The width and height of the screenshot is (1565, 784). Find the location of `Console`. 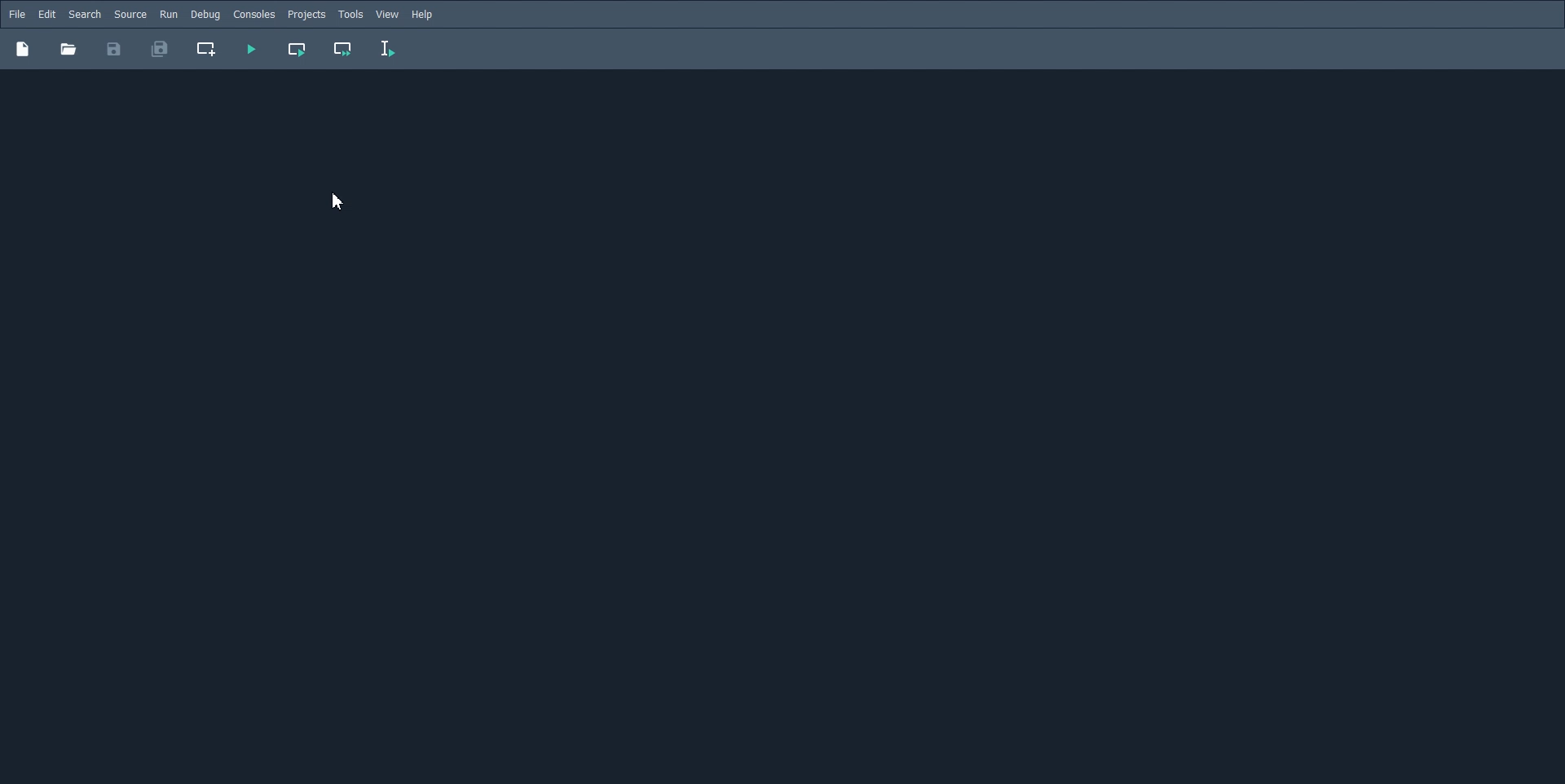

Console is located at coordinates (253, 15).